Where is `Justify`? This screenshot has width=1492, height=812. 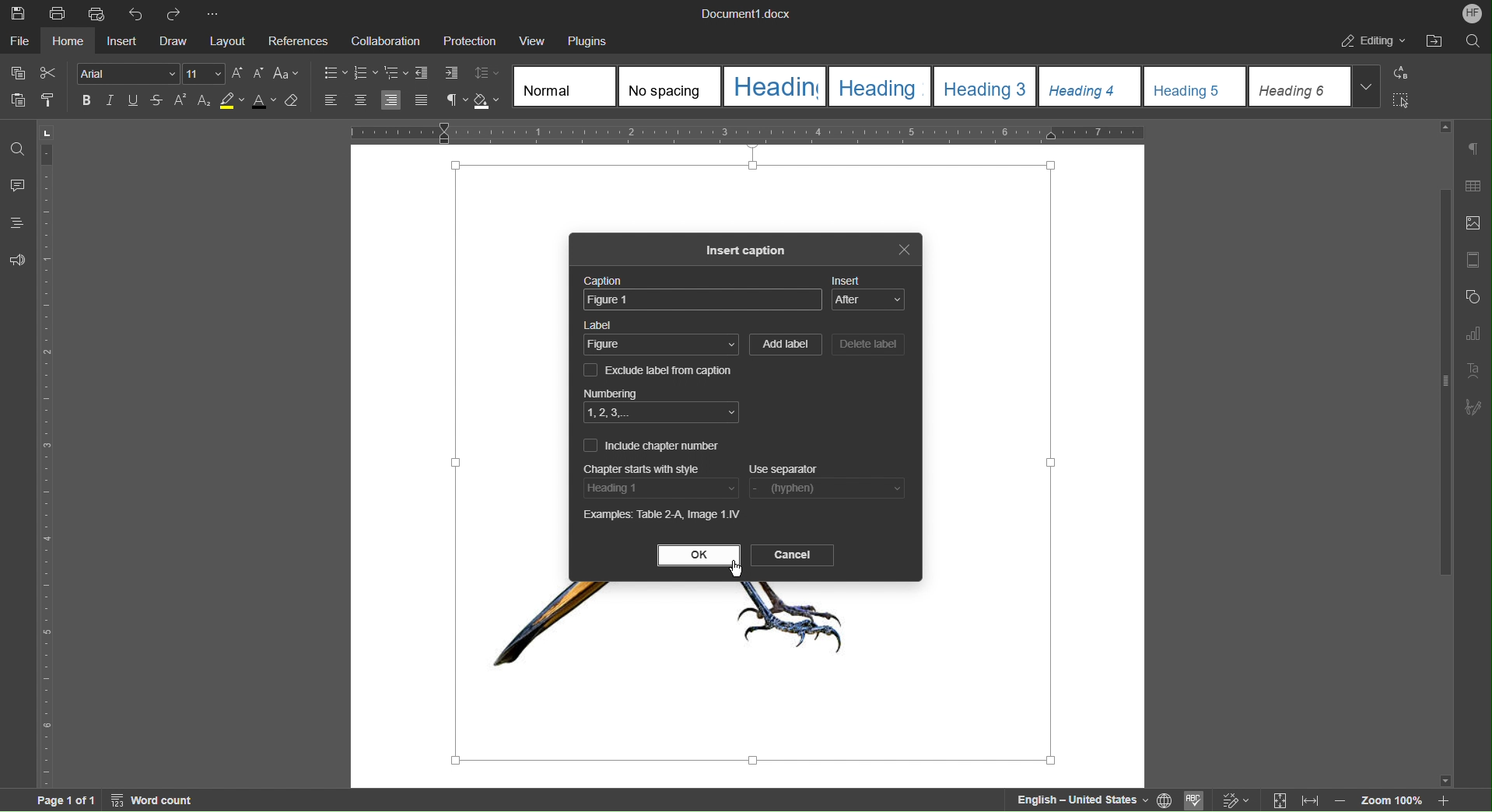 Justify is located at coordinates (421, 100).